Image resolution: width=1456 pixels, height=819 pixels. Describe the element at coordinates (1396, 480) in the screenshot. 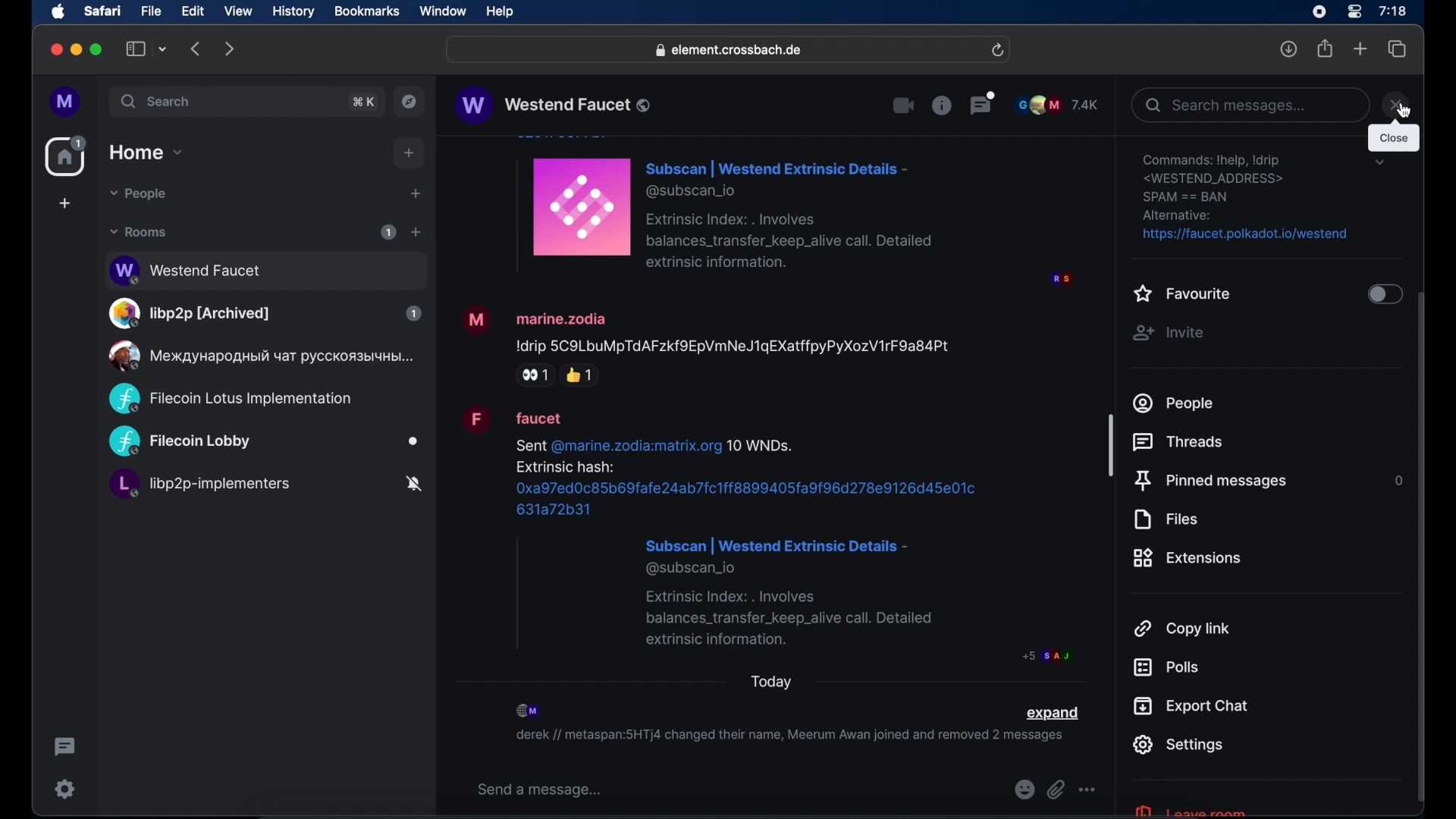

I see `0` at that location.